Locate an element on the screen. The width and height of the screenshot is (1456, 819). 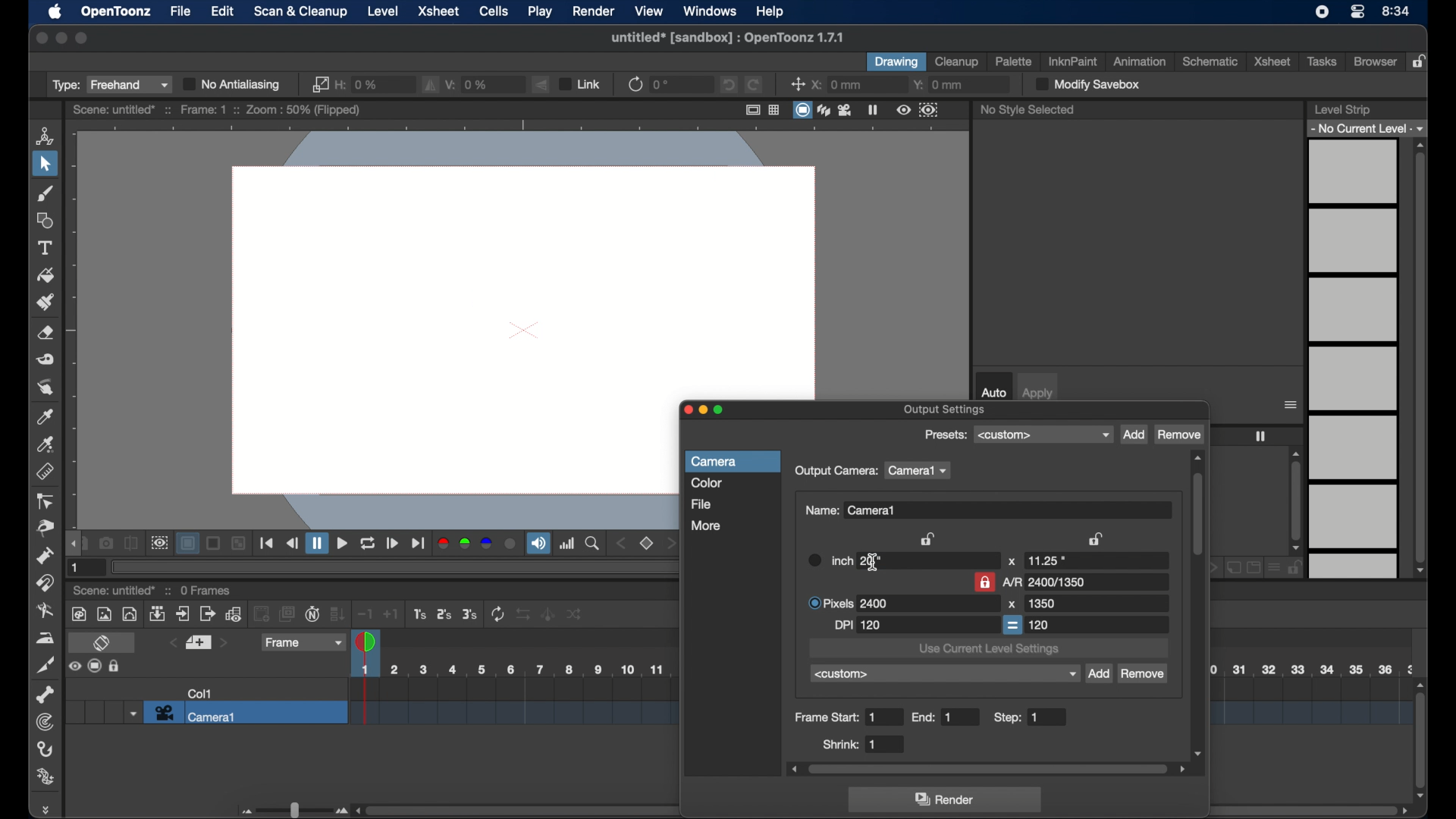
 is located at coordinates (1277, 569).